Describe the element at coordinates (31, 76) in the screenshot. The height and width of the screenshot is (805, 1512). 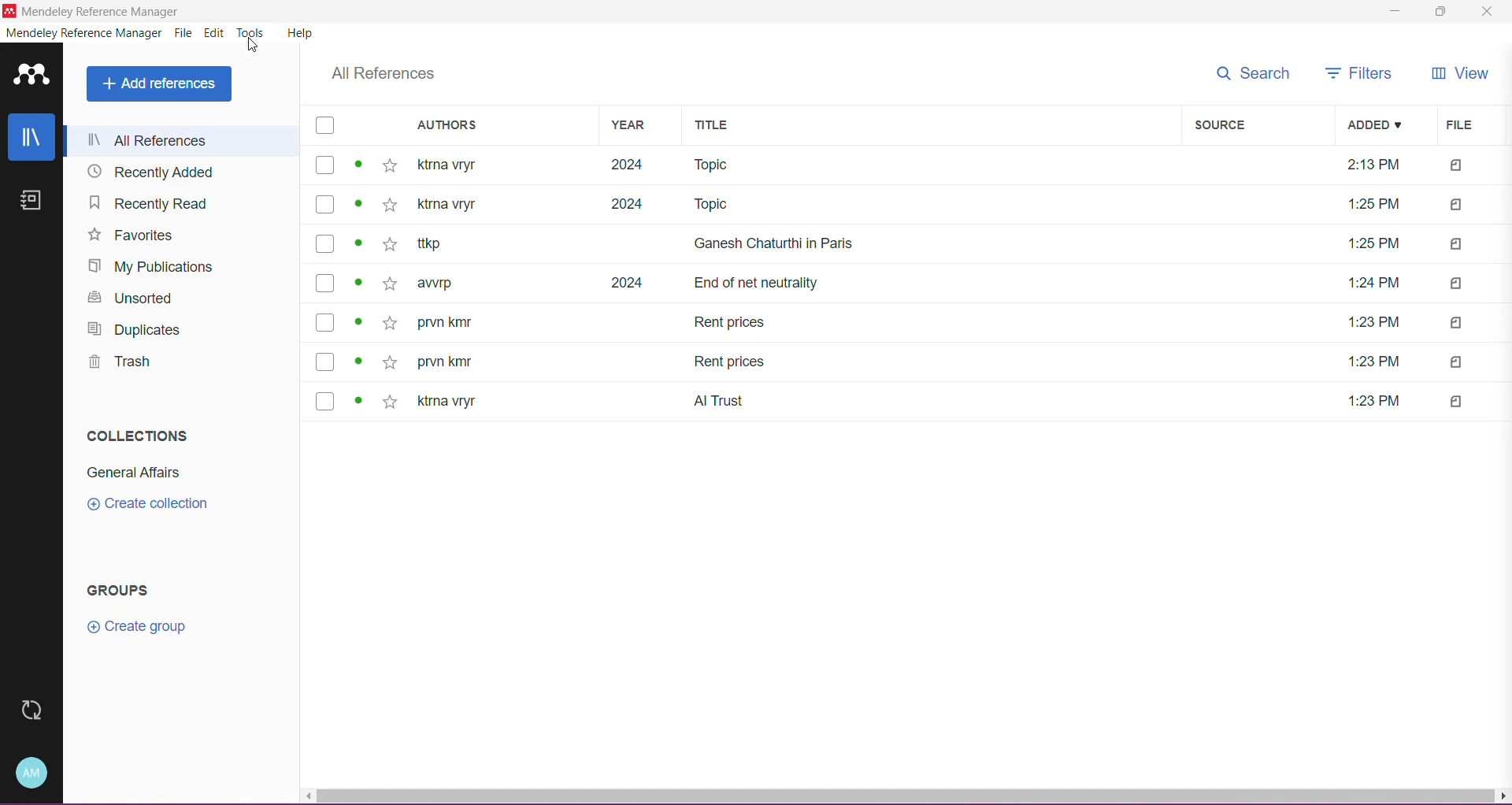
I see `Application Logo` at that location.